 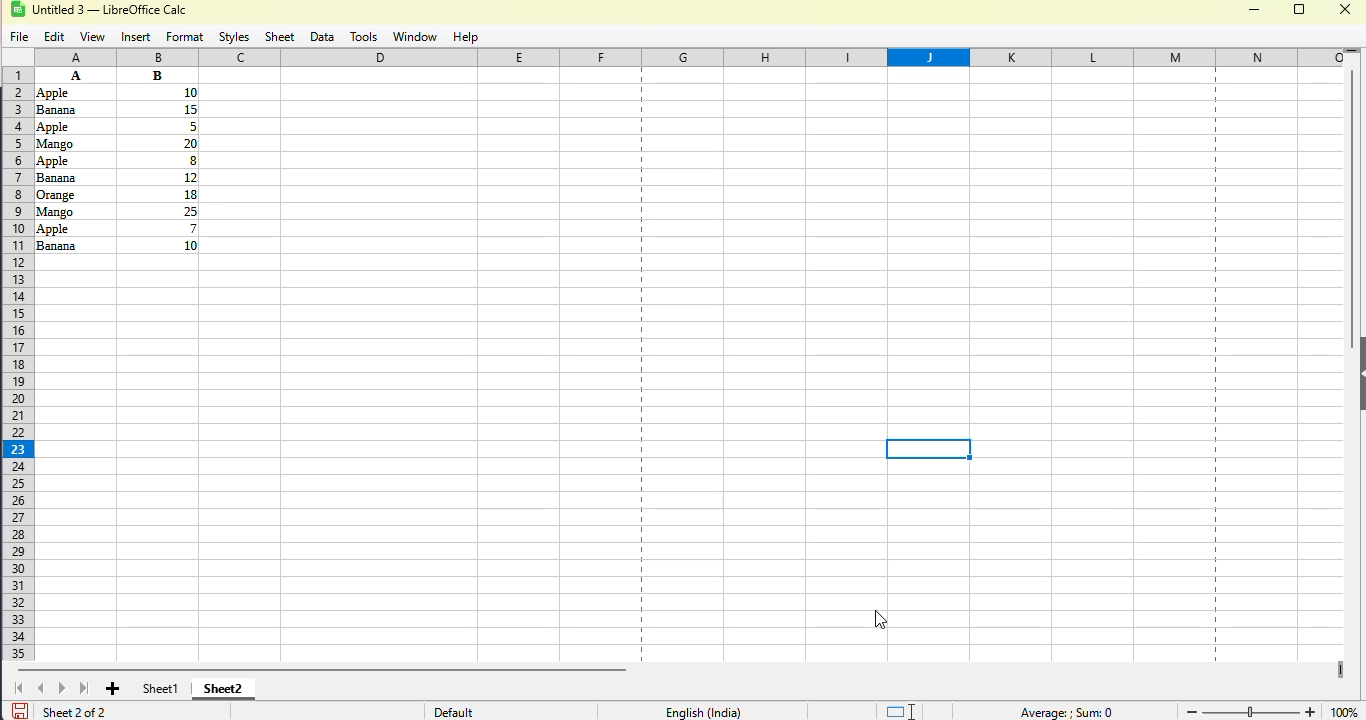 I want to click on A B Apple 10 Banana 15 Apple 5 Mango 20 Apple 8 Banana 2 Orange 18 Mango 2 Apple 7 Banana 10 (data), so click(x=75, y=75).